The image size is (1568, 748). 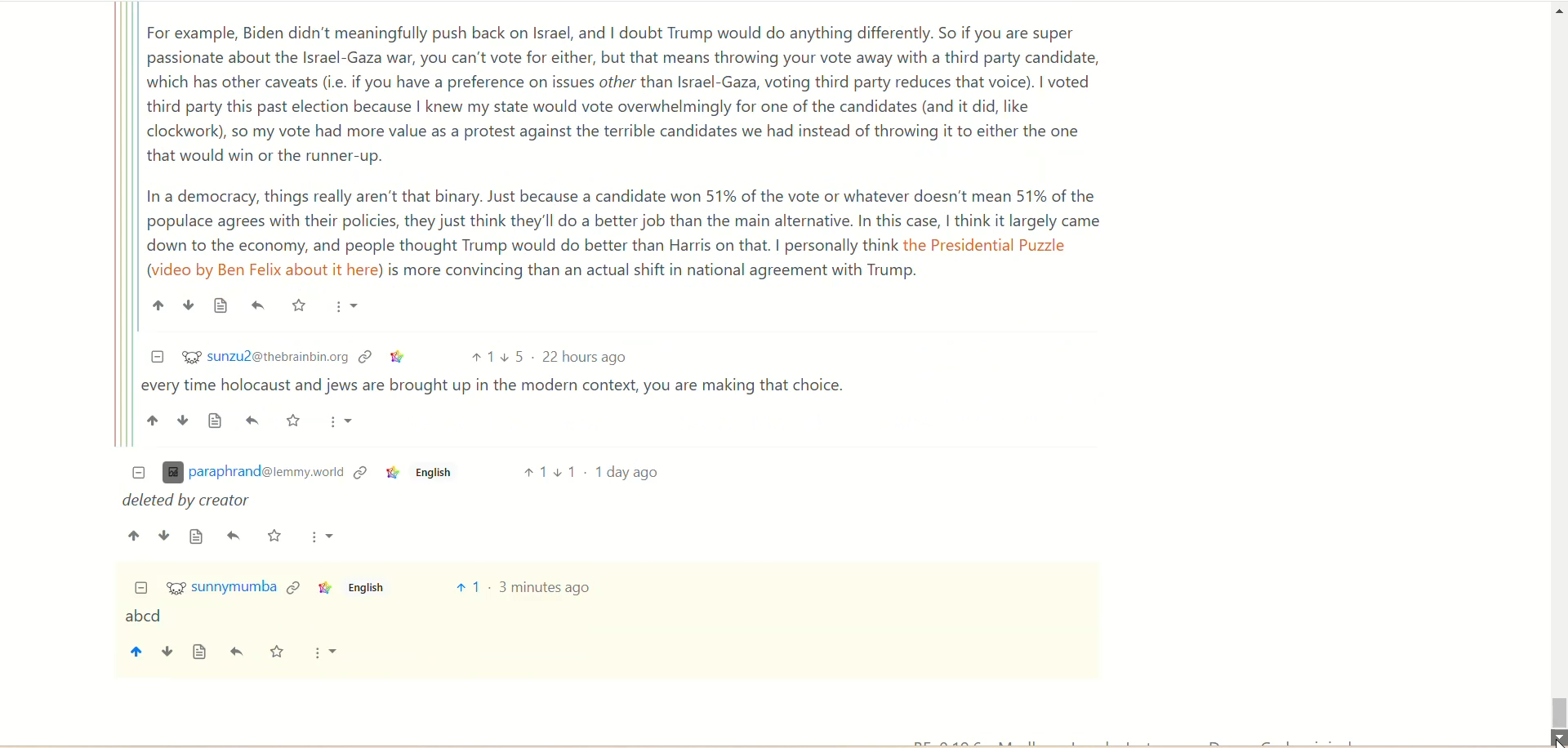 I want to click on Downvote, so click(x=189, y=305).